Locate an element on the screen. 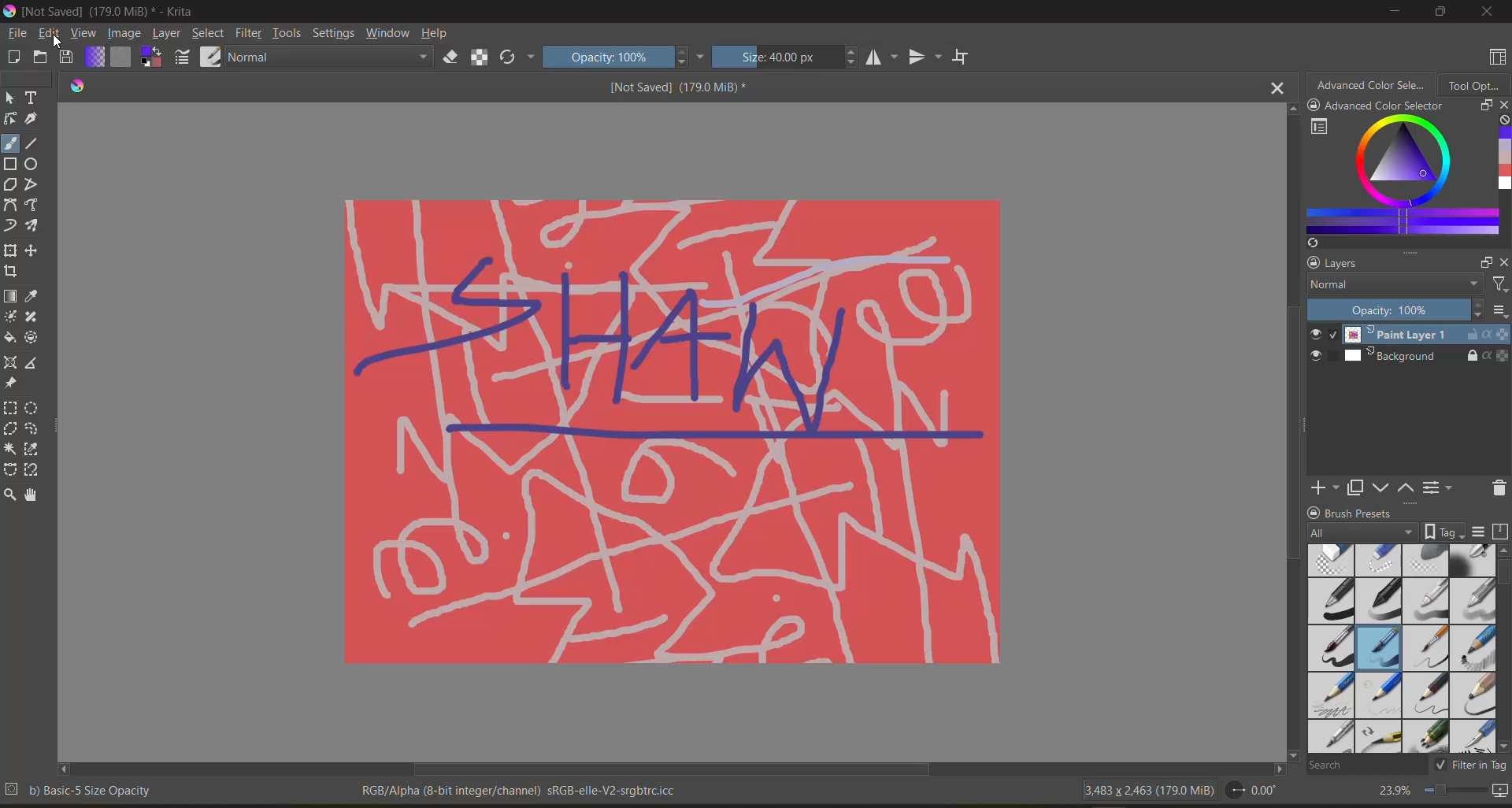 The image size is (1512, 808). horizontal scroll bar is located at coordinates (673, 770).